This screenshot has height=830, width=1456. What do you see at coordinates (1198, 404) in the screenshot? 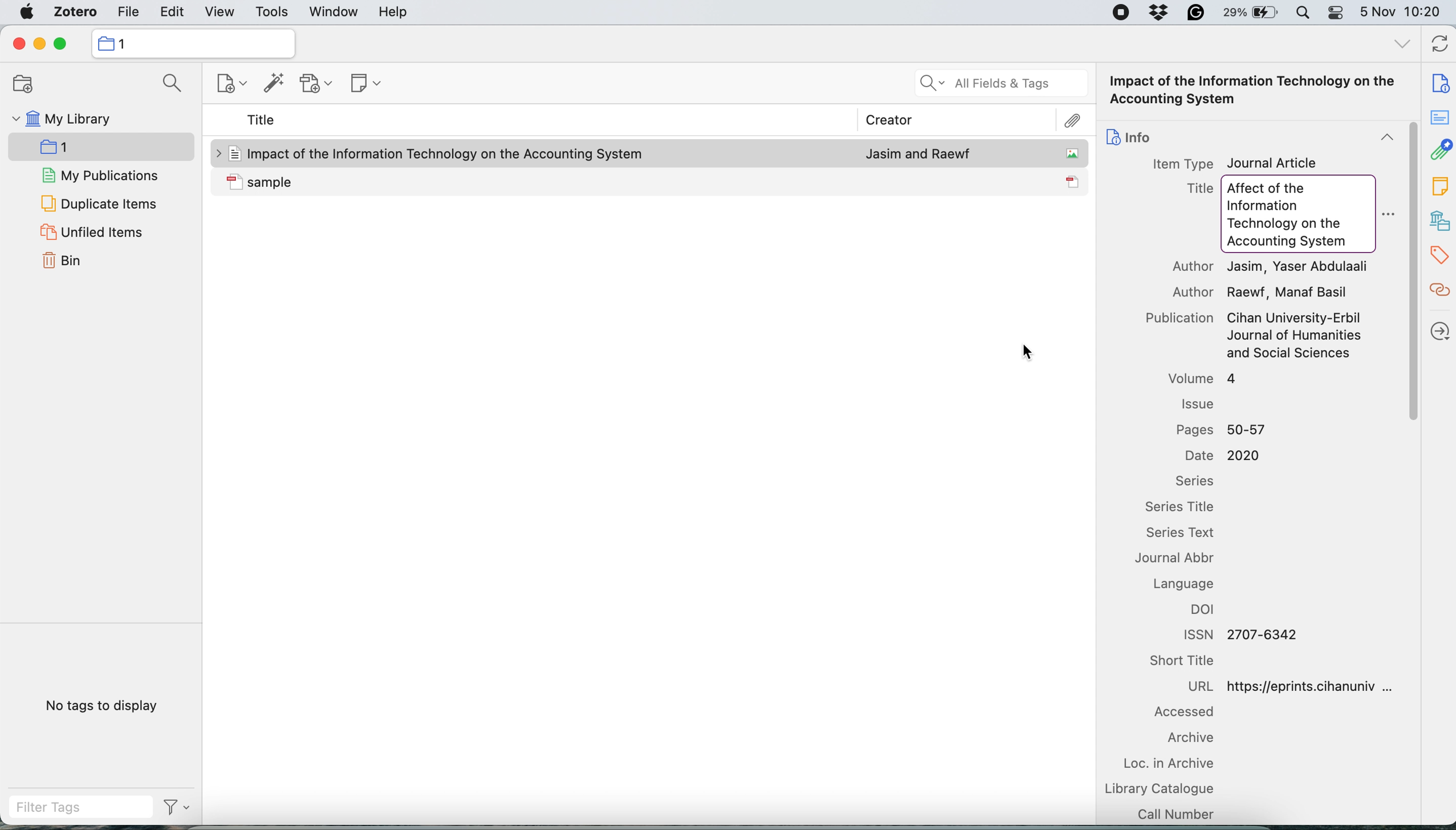
I see `issue` at bounding box center [1198, 404].